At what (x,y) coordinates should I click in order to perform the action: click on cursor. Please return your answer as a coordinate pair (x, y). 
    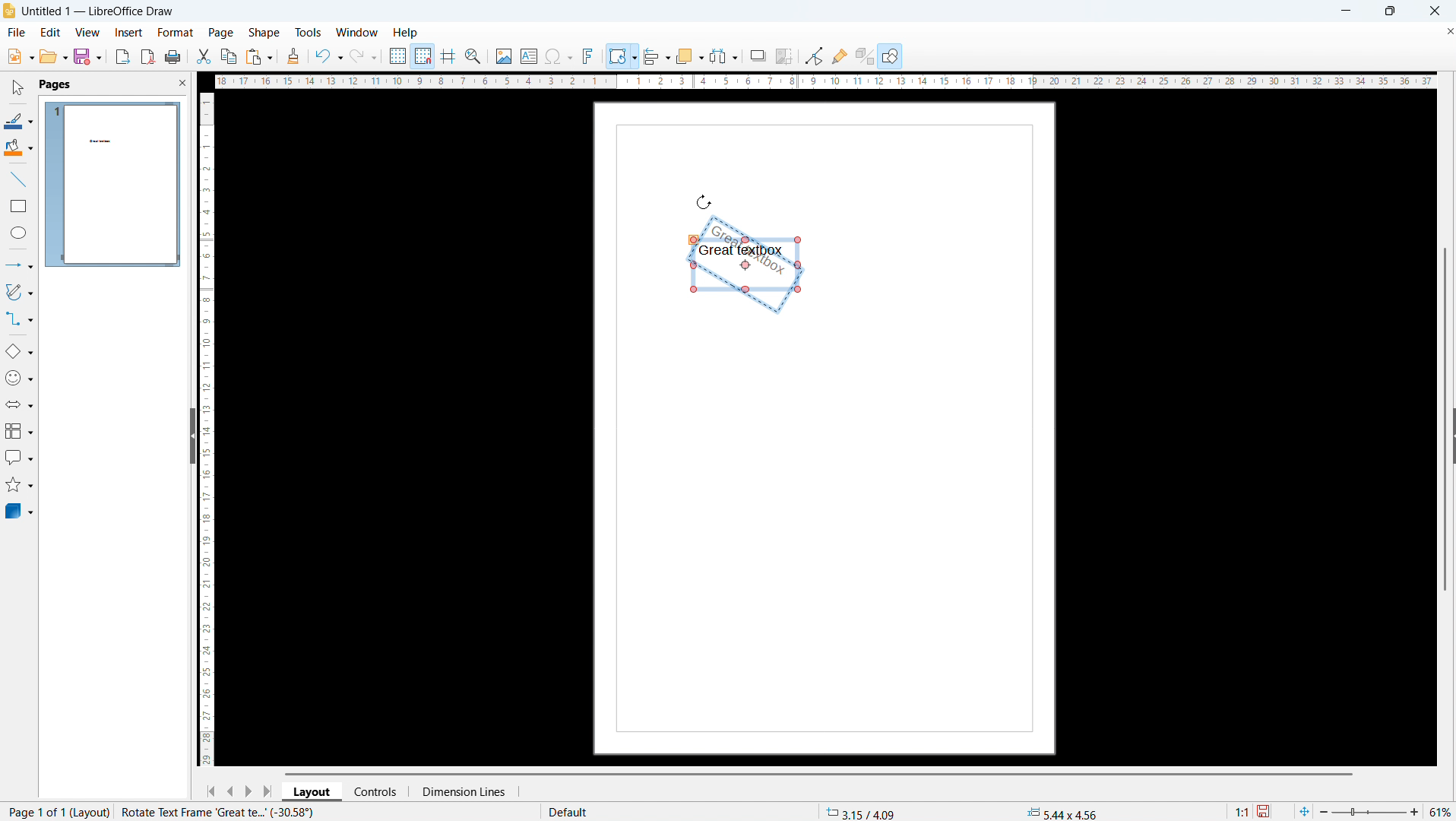
    Looking at the image, I should click on (704, 201).